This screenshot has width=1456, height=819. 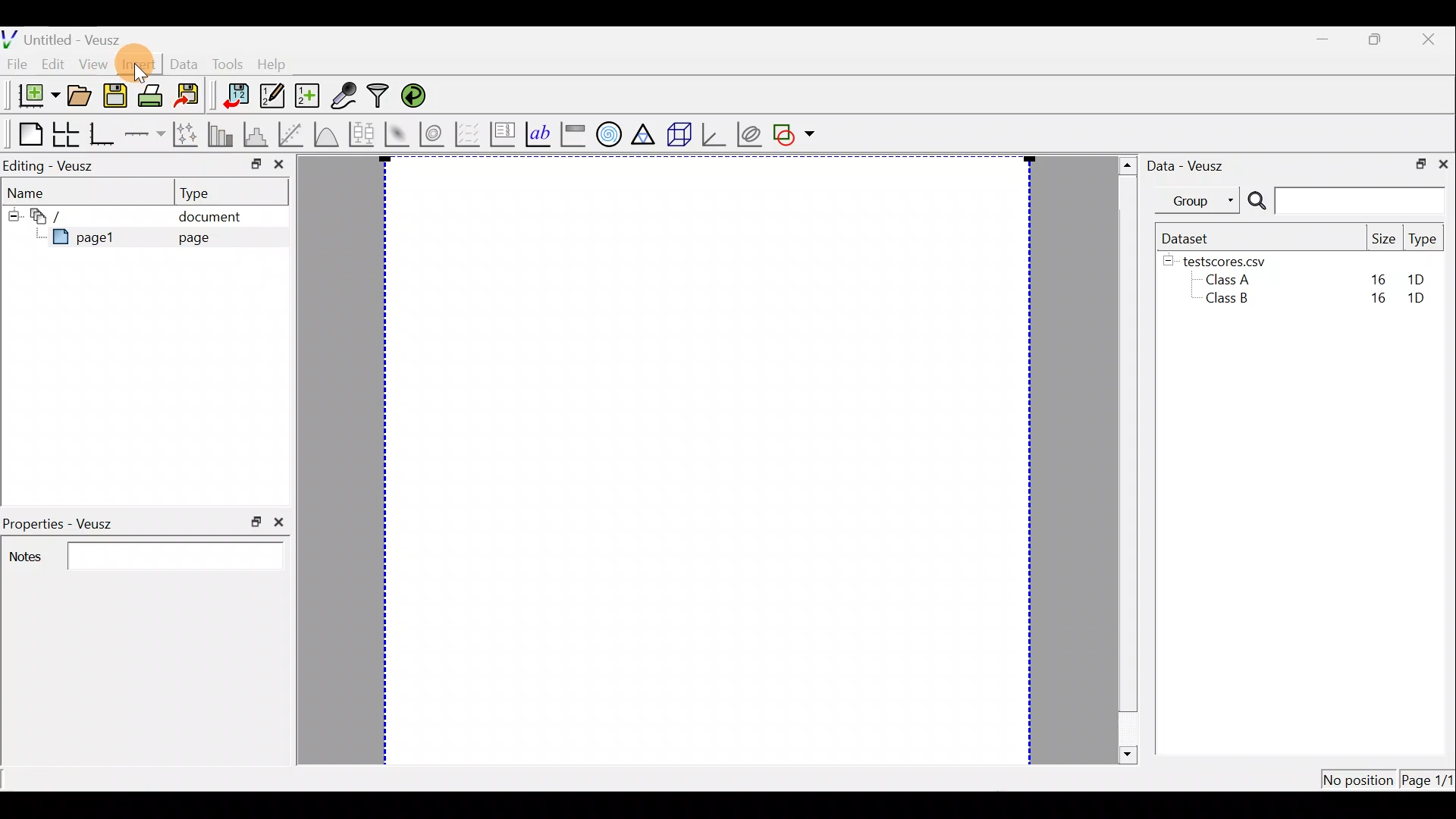 What do you see at coordinates (13, 216) in the screenshot?
I see `hide` at bounding box center [13, 216].